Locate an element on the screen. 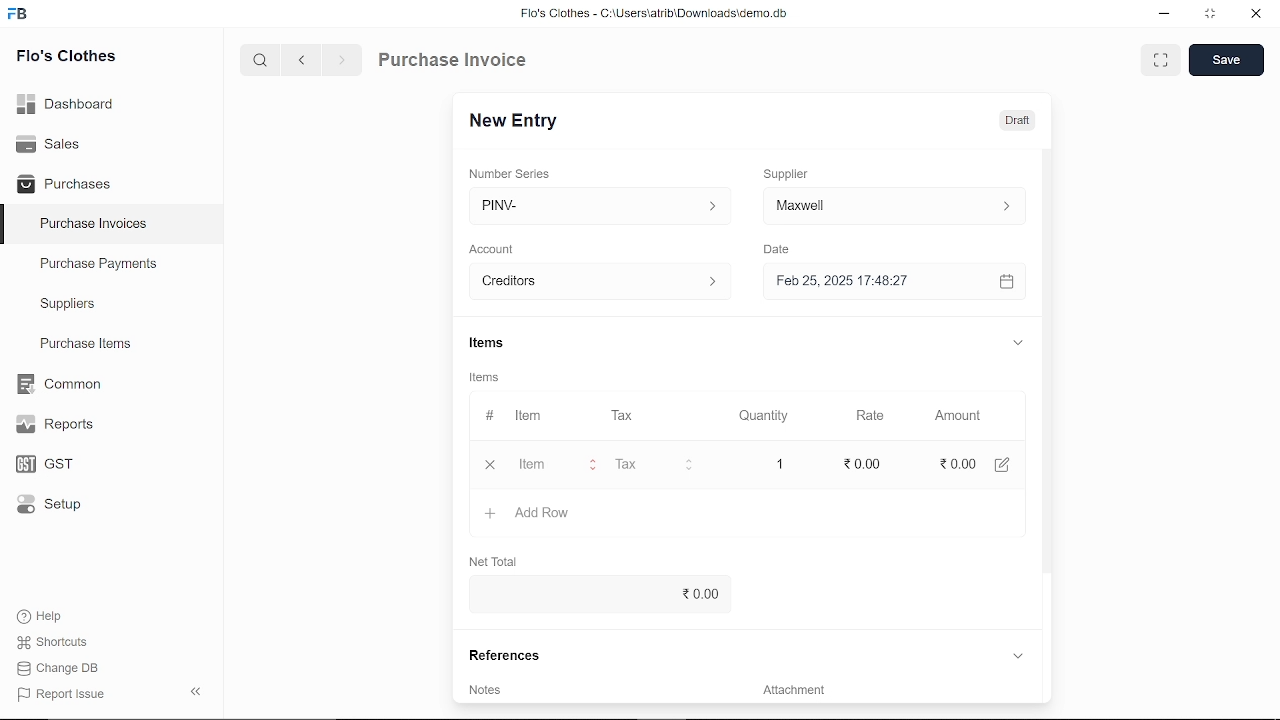 The width and height of the screenshot is (1280, 720). Items is located at coordinates (490, 379).